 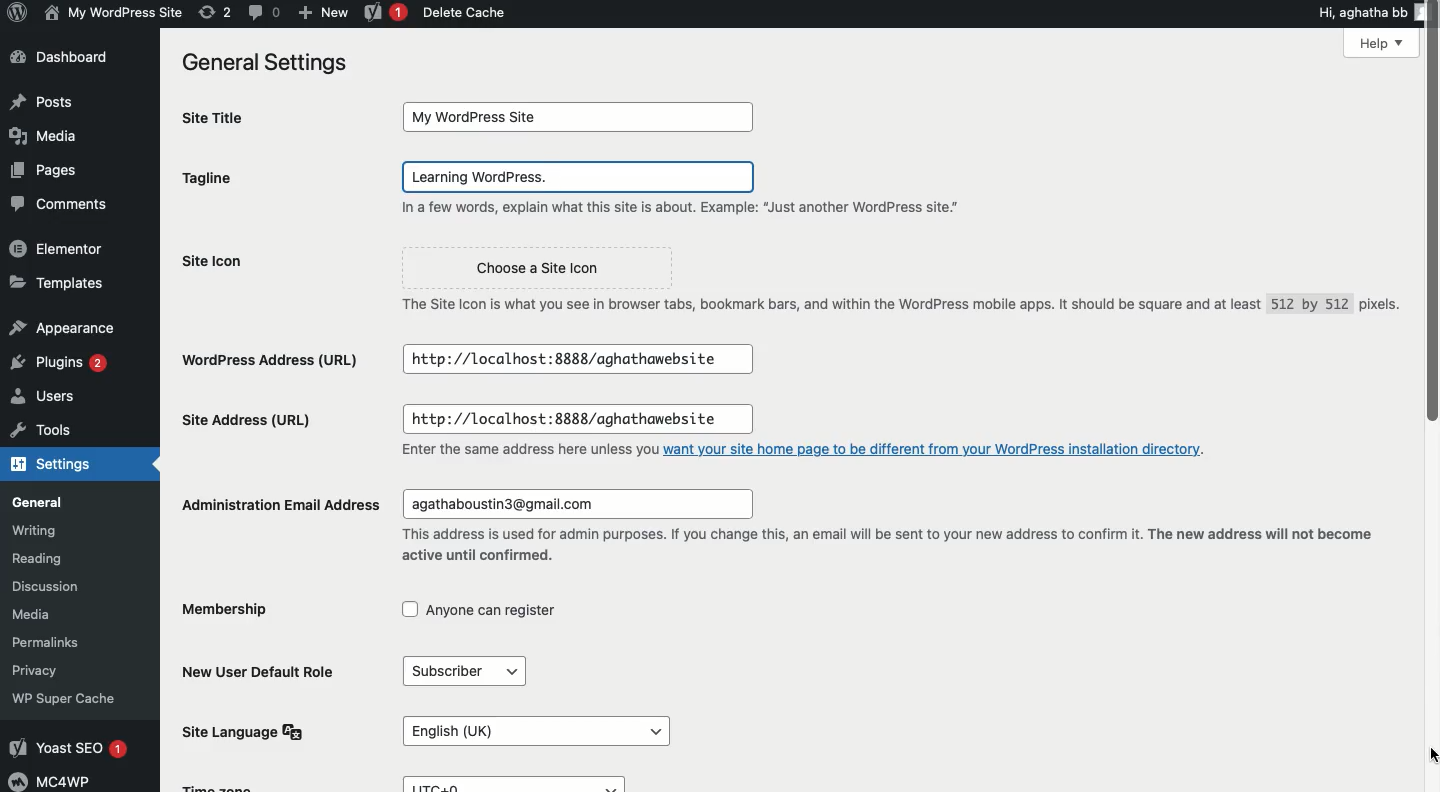 What do you see at coordinates (268, 421) in the screenshot?
I see `Site address (URL)` at bounding box center [268, 421].